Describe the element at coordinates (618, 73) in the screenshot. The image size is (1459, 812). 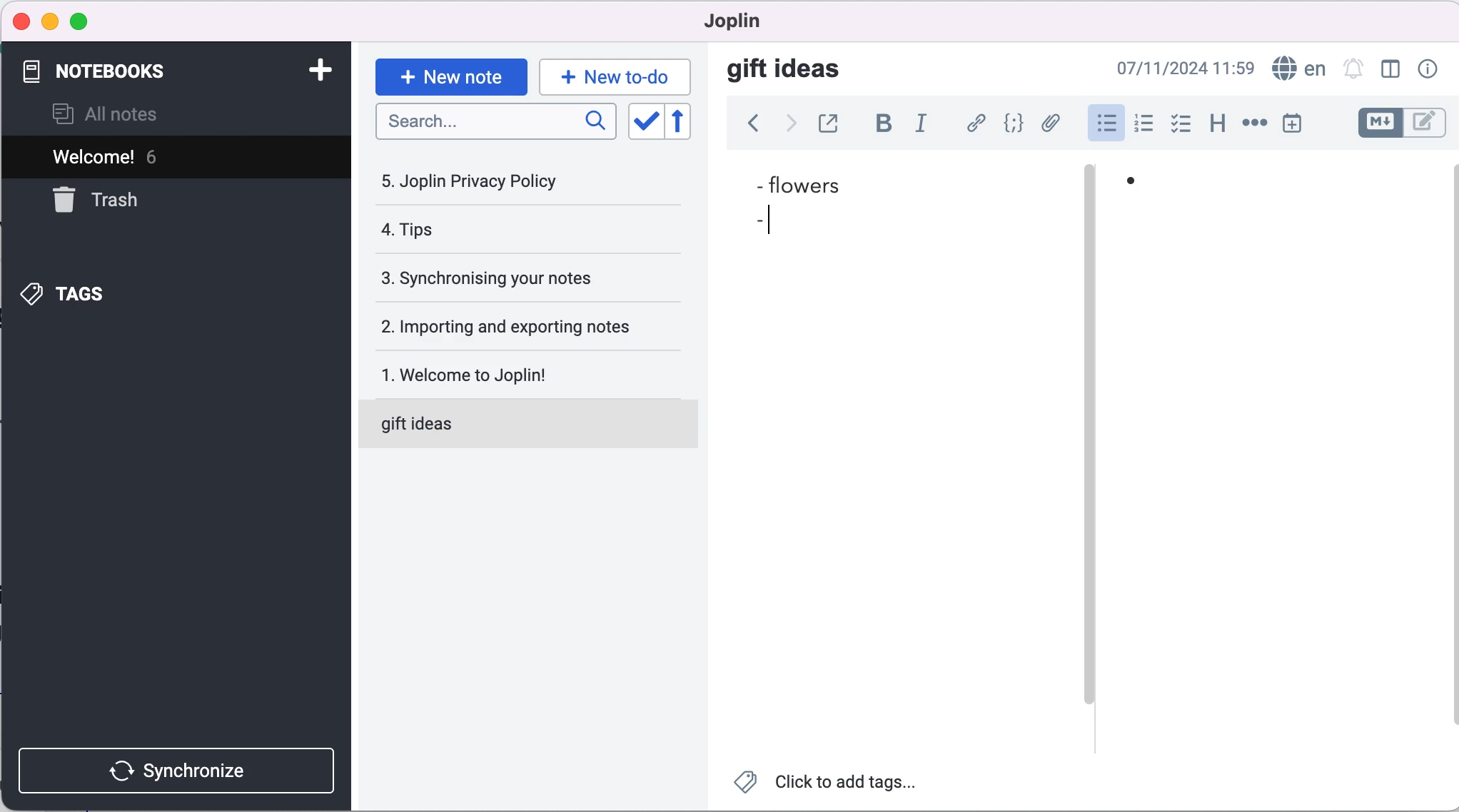
I see `new to-do` at that location.